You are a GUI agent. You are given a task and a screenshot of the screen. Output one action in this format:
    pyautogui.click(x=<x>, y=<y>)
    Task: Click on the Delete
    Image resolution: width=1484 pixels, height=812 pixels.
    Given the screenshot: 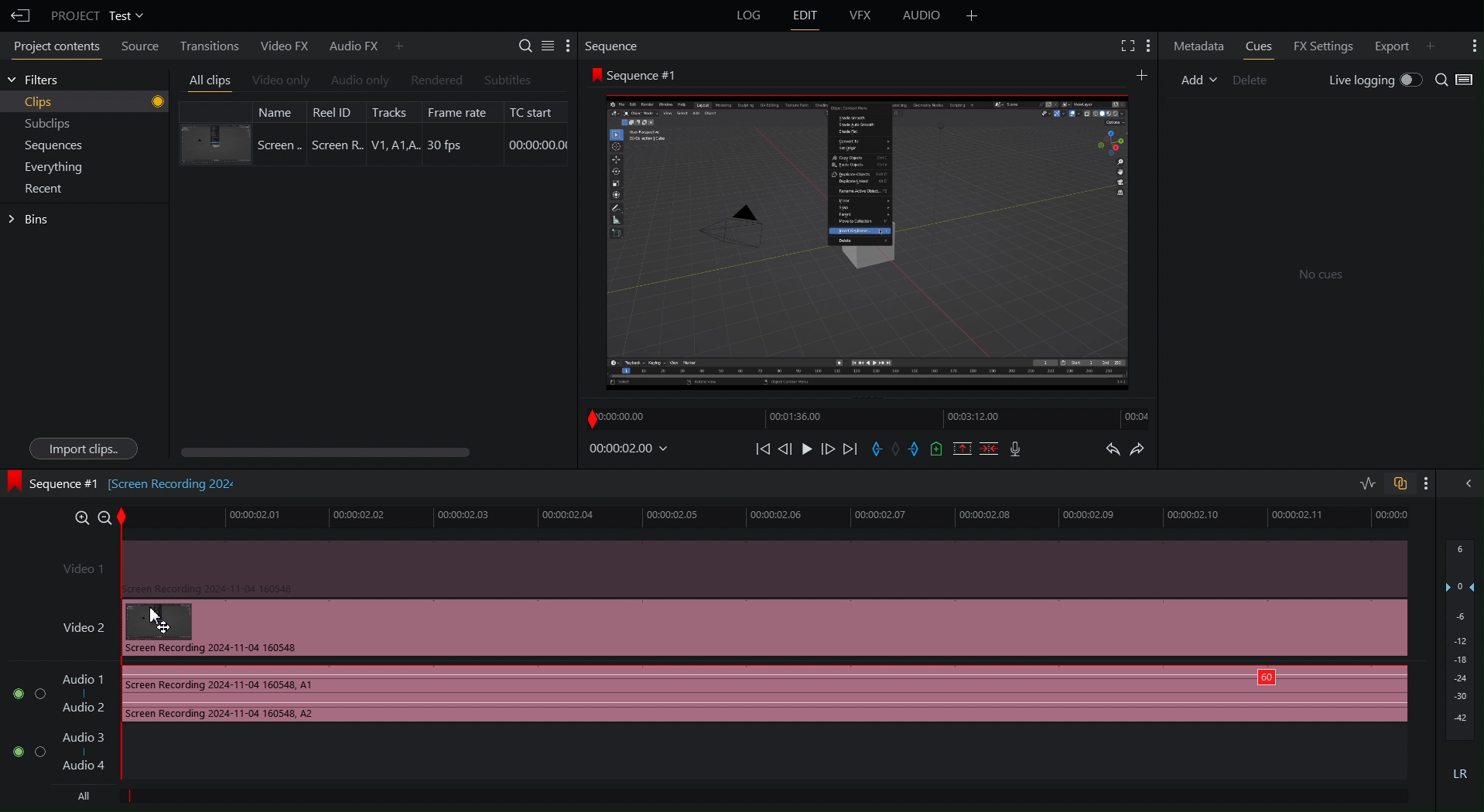 What is the action you would take?
    pyautogui.click(x=1249, y=78)
    